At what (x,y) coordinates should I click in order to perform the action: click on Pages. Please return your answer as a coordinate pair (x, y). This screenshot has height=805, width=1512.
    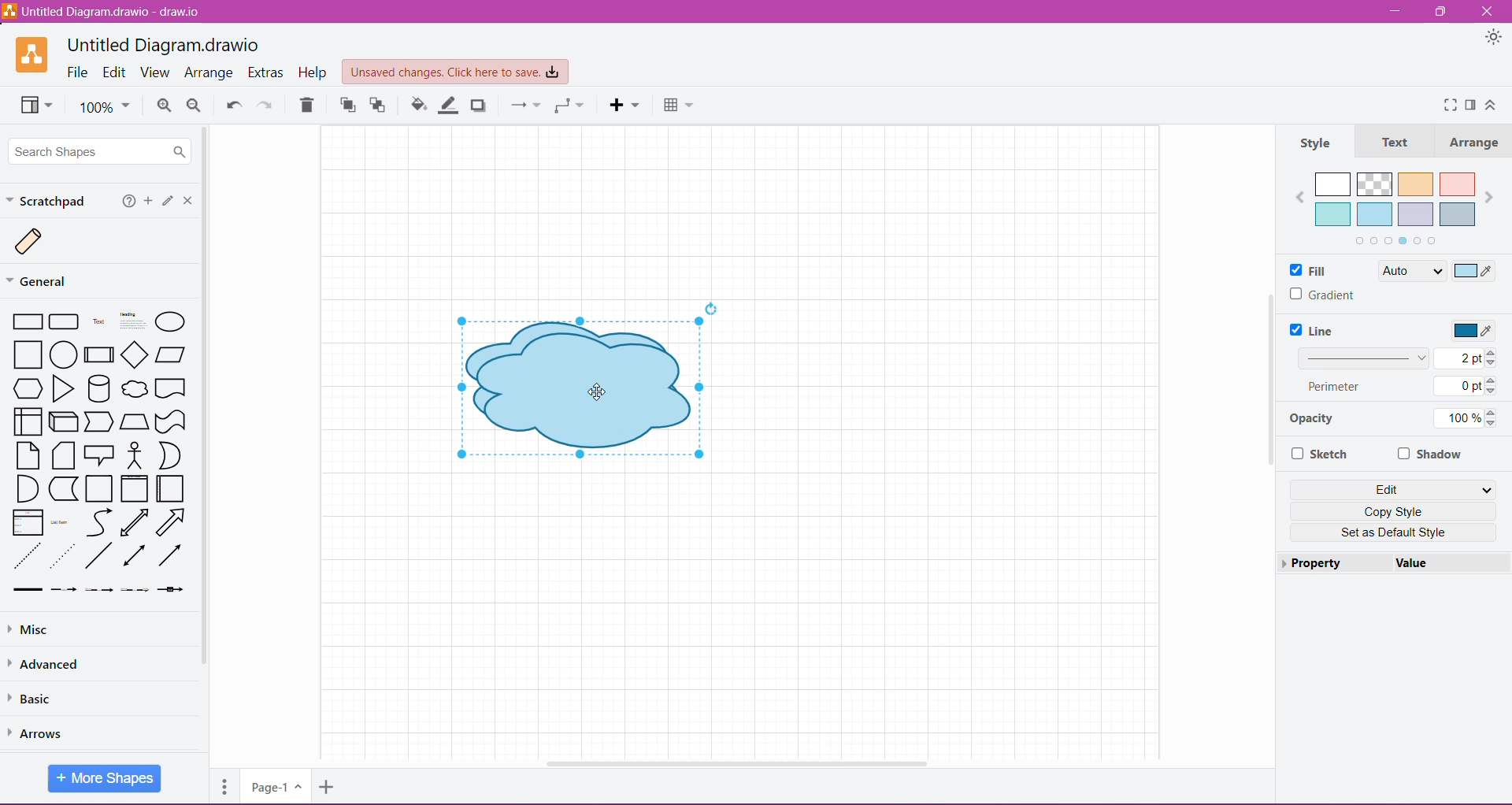
    Looking at the image, I should click on (224, 786).